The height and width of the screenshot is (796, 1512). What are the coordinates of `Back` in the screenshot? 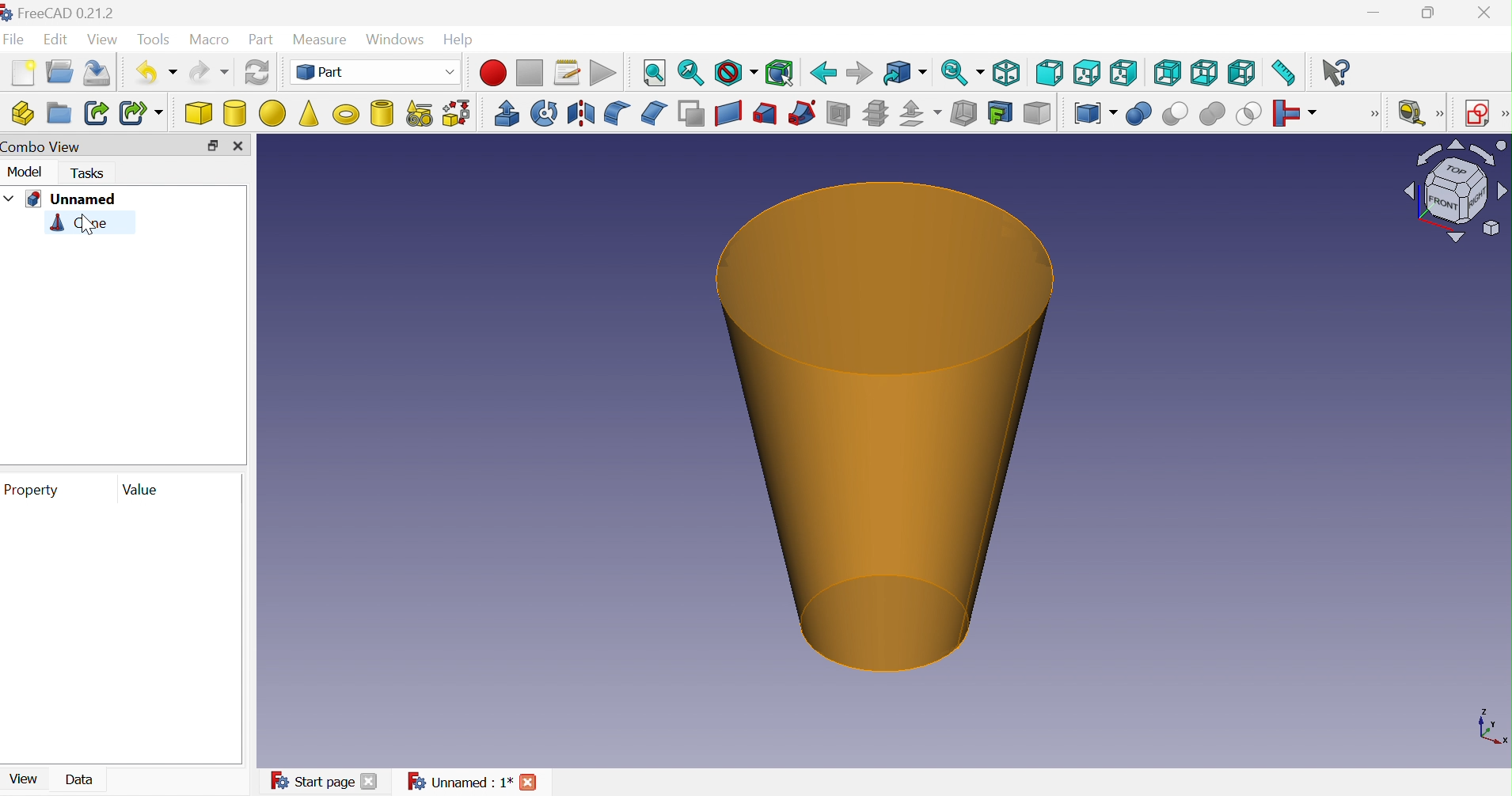 It's located at (822, 74).